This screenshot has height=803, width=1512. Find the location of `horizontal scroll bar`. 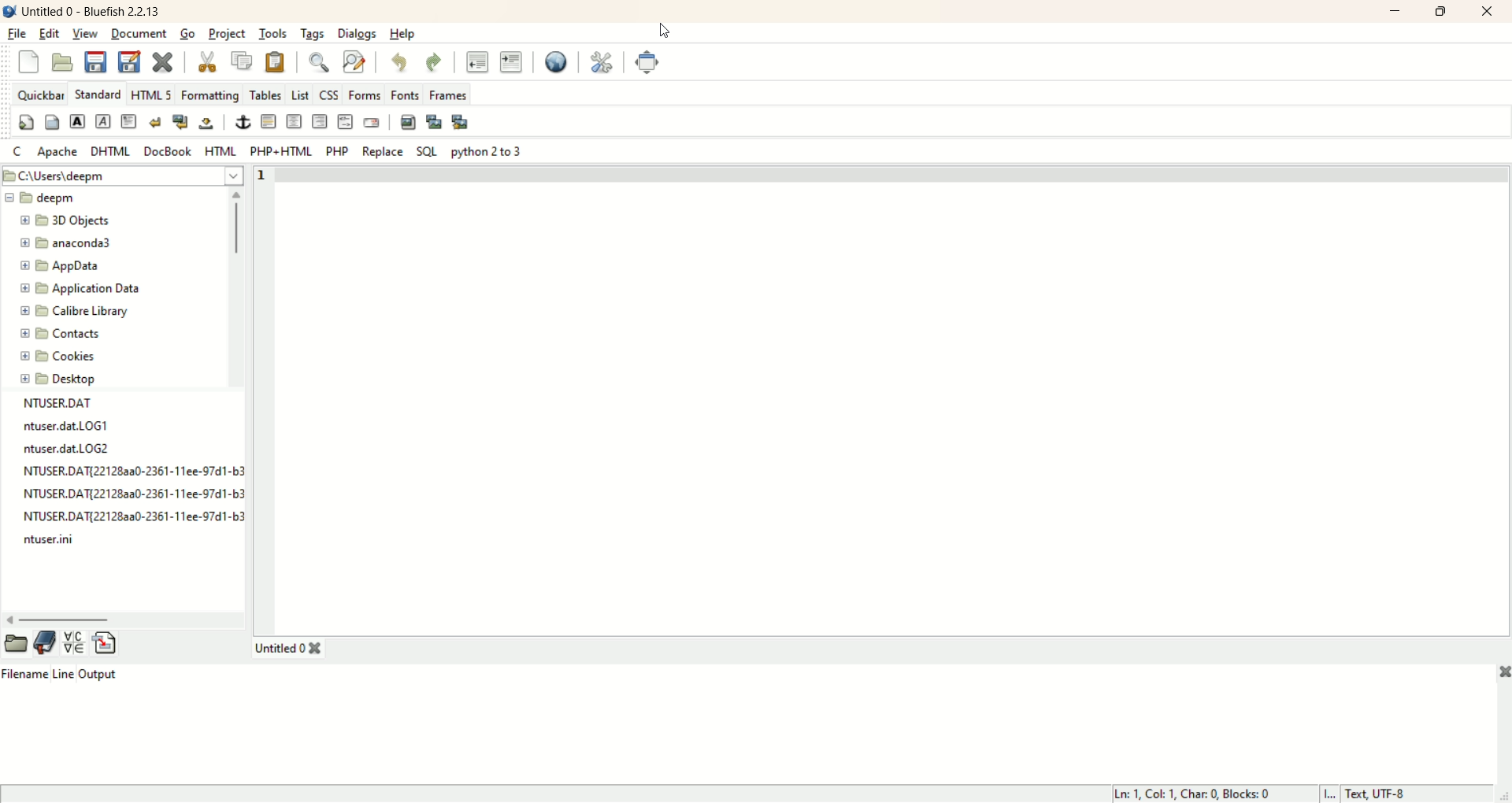

horizontal scroll bar is located at coordinates (126, 617).